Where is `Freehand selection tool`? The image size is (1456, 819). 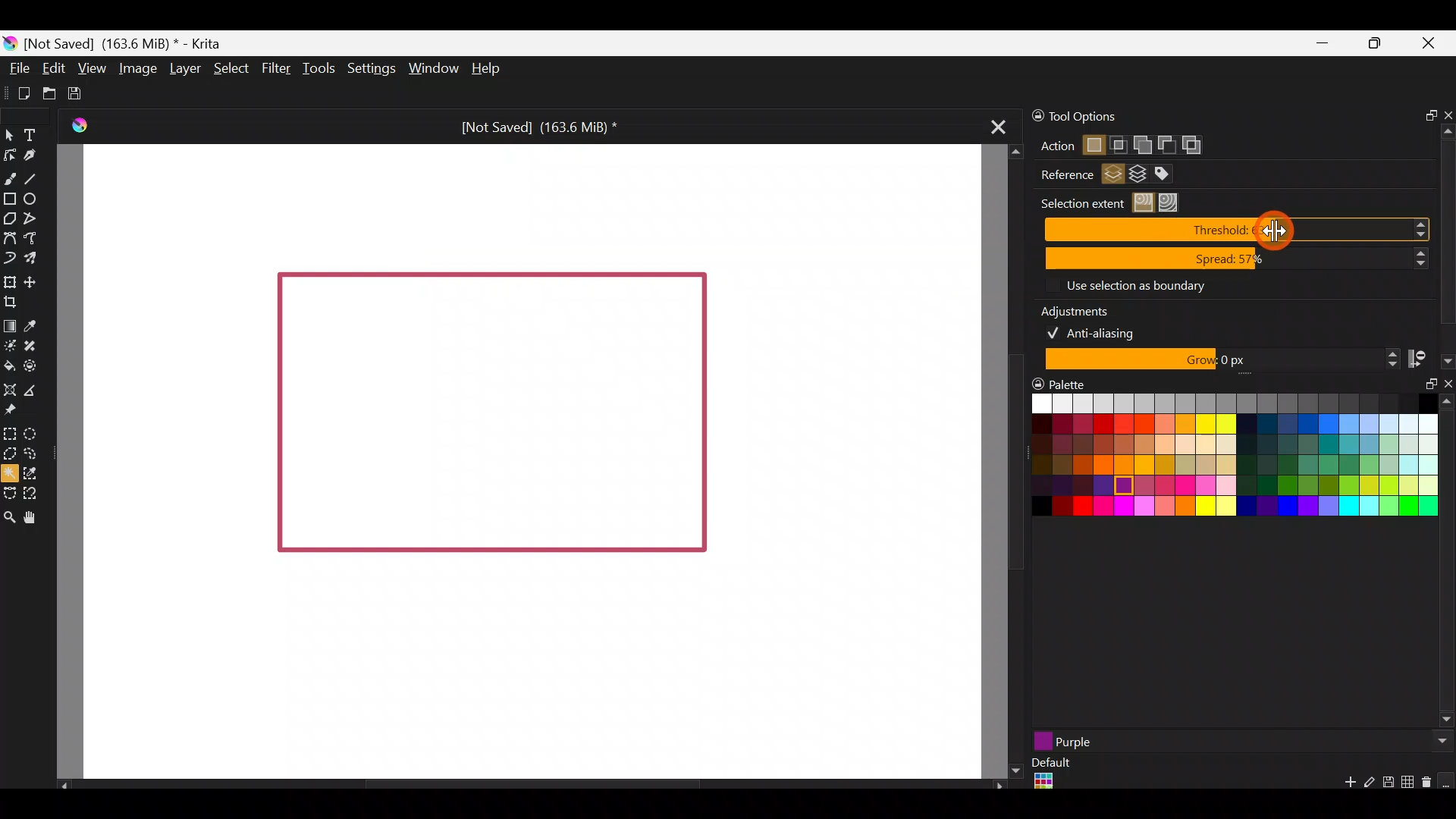
Freehand selection tool is located at coordinates (32, 452).